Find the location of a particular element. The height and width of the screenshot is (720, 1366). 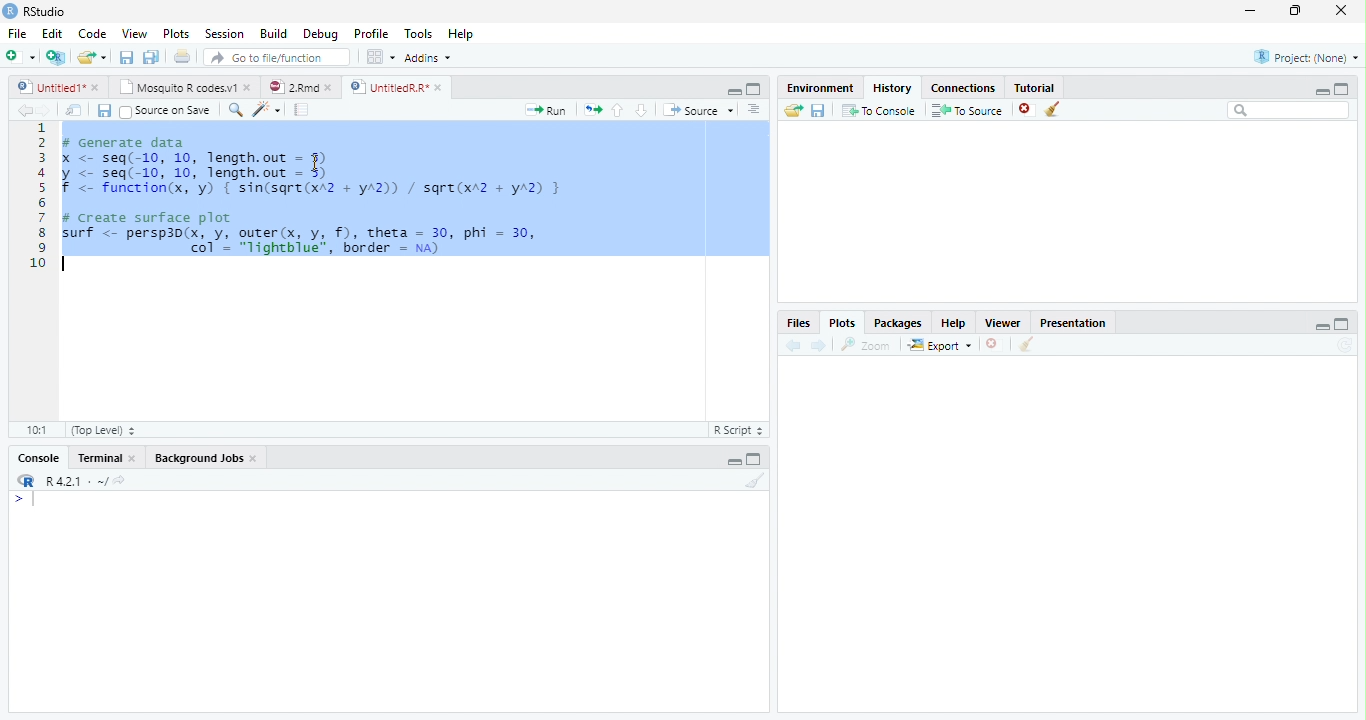

R Script is located at coordinates (741, 430).